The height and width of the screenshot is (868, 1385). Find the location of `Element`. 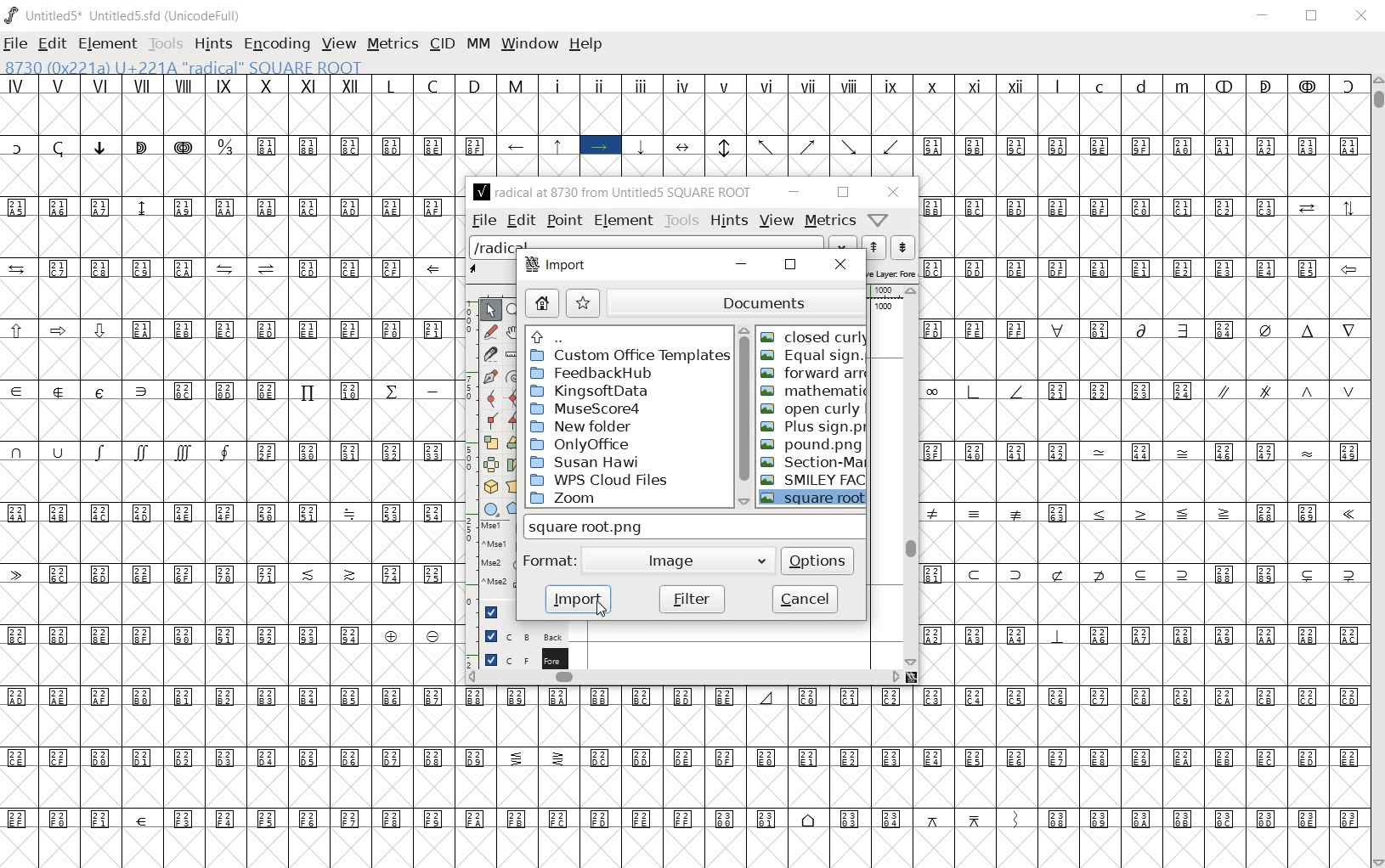

Element is located at coordinates (625, 221).